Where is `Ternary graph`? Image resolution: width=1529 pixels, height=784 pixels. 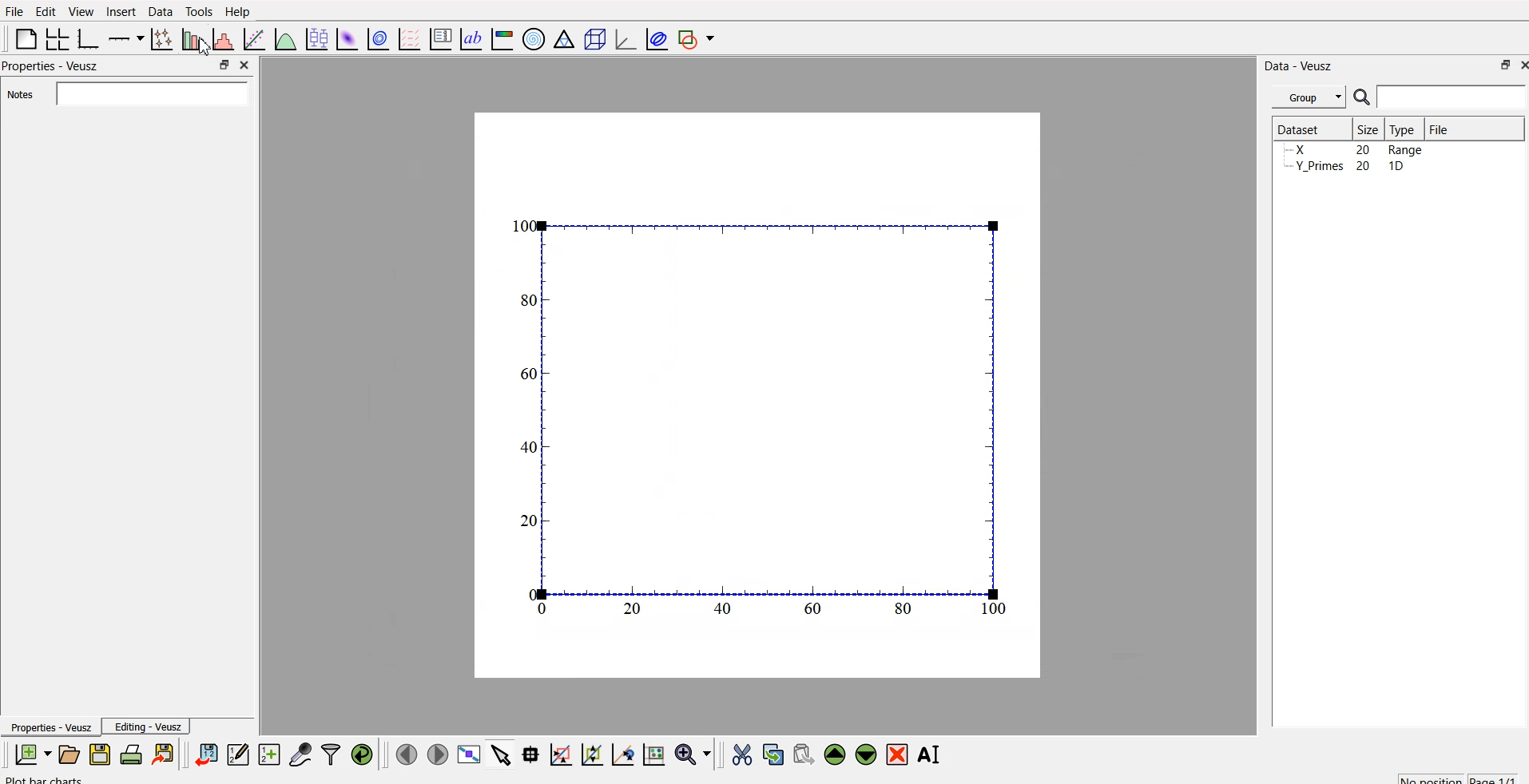 Ternary graph is located at coordinates (565, 38).